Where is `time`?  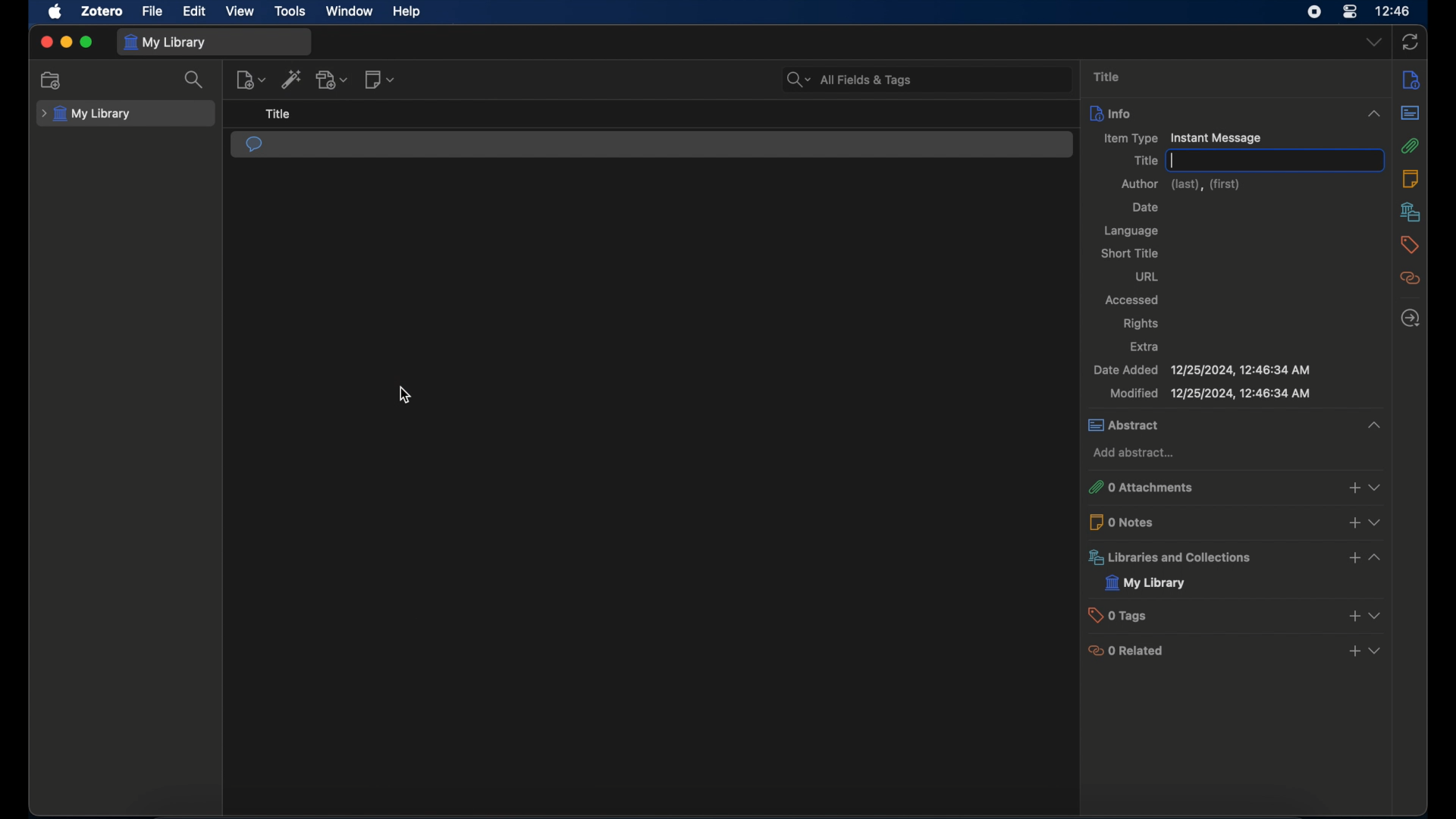
time is located at coordinates (1392, 11).